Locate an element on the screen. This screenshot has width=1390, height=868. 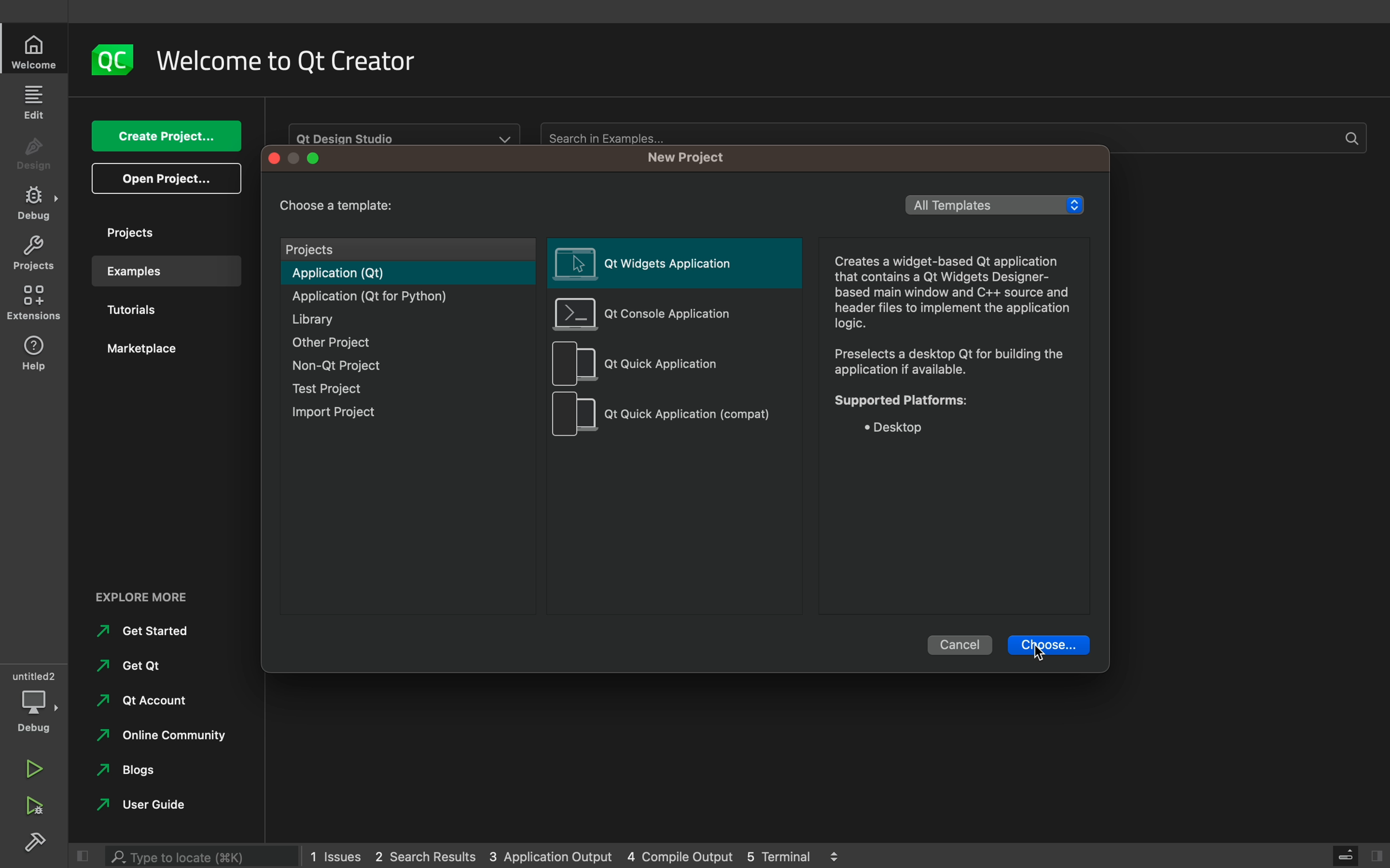
examples is located at coordinates (161, 271).